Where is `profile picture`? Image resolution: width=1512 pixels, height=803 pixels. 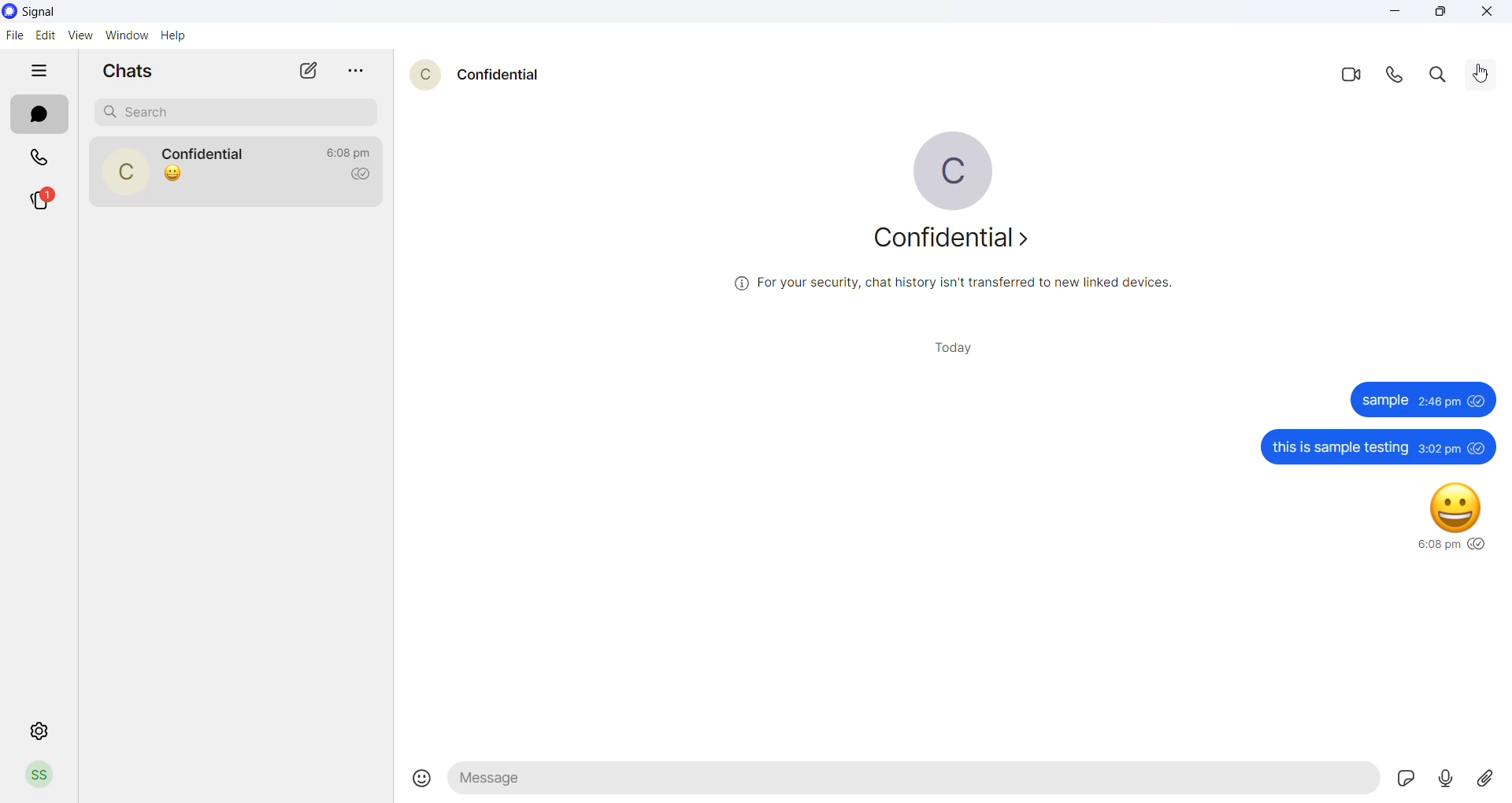
profile picture is located at coordinates (36, 774).